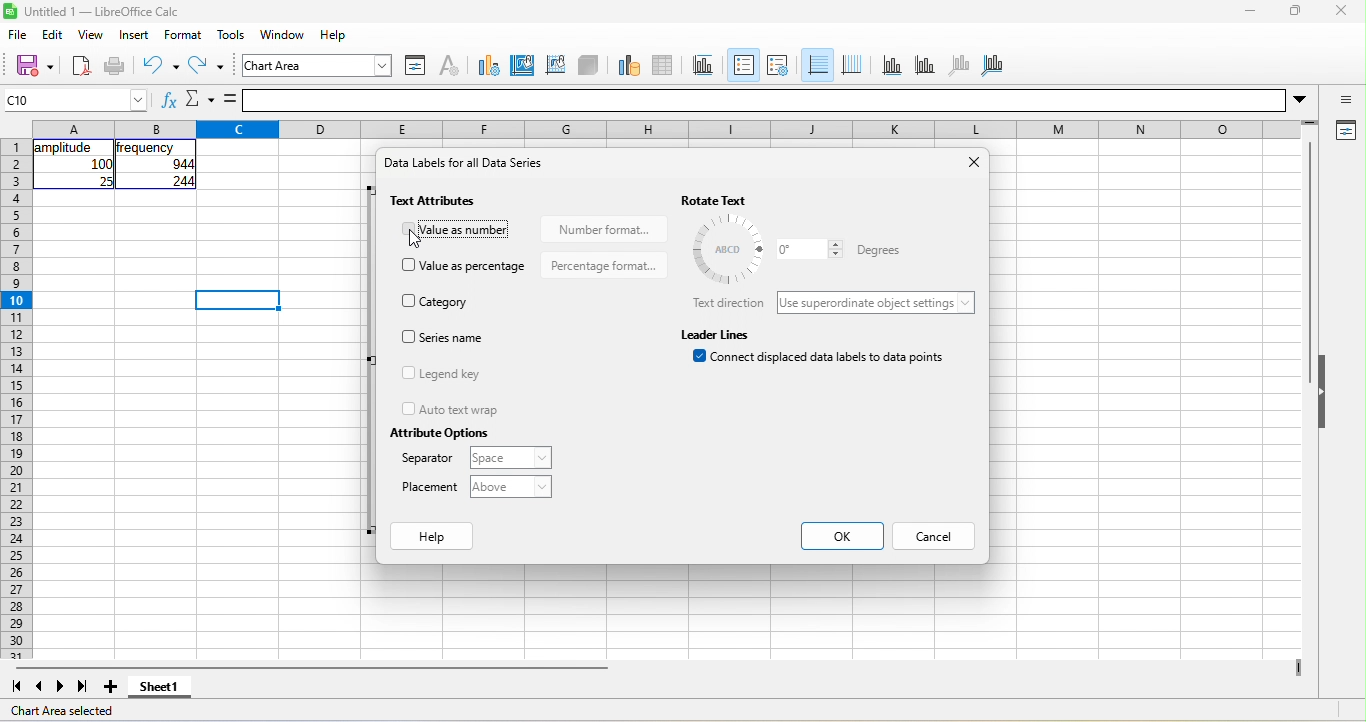 This screenshot has height=722, width=1366. I want to click on function wizard, so click(167, 103).